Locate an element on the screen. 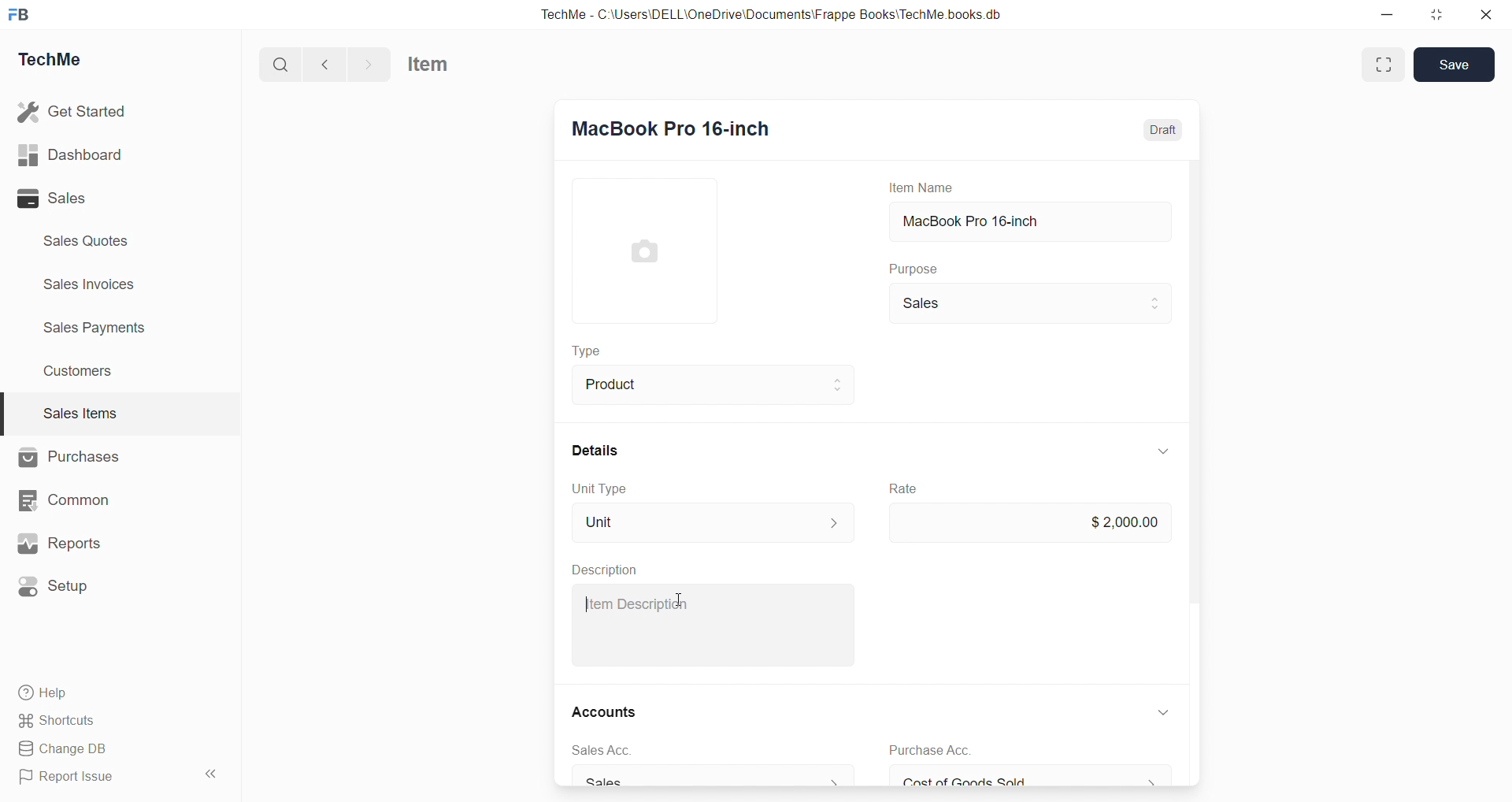  TechMe - C:\Users\DELL\OneDrive\Documents\Frappe Books\TechMe books.db is located at coordinates (773, 14).